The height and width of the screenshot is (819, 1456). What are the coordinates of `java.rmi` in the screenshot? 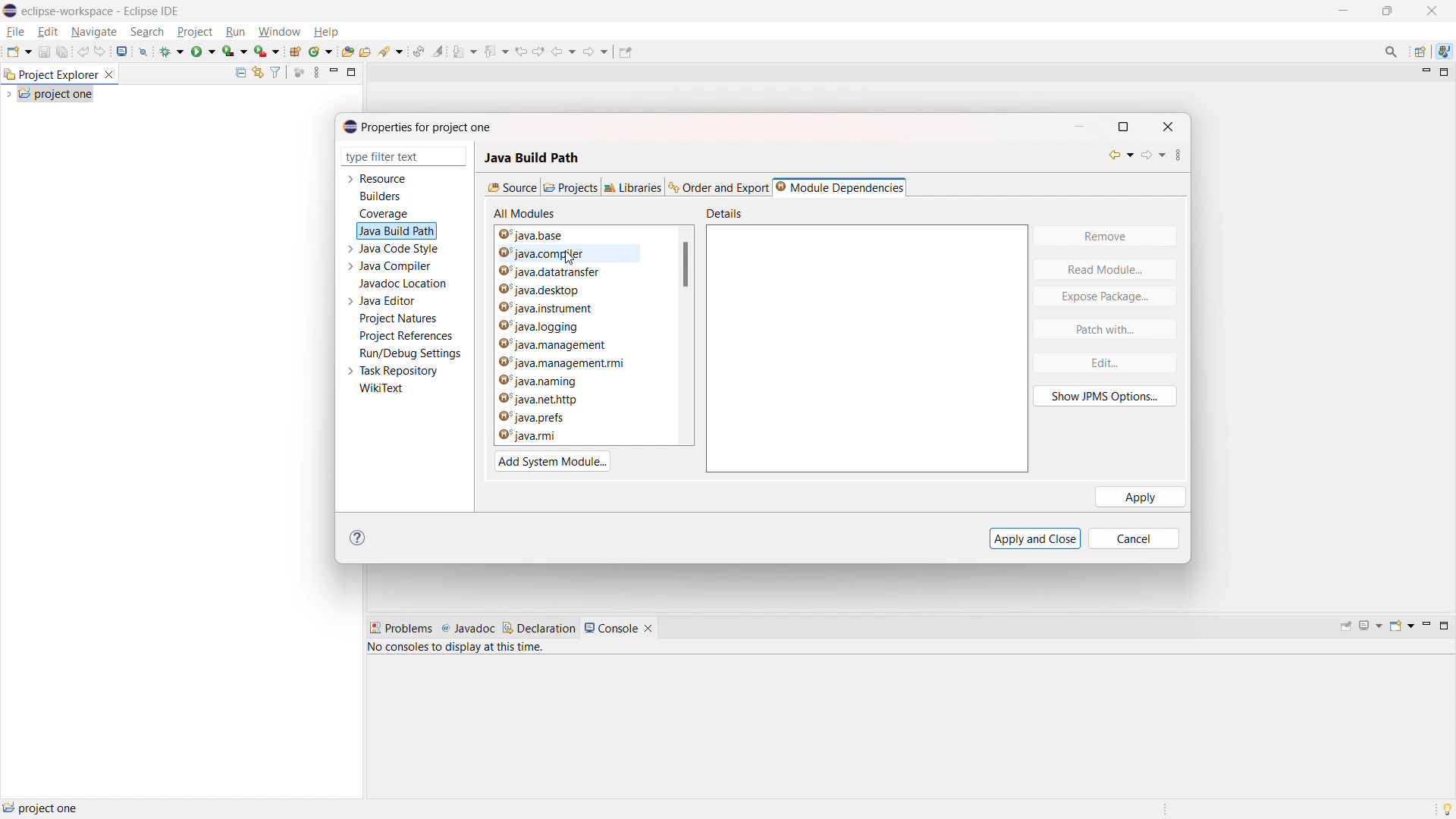 It's located at (556, 436).